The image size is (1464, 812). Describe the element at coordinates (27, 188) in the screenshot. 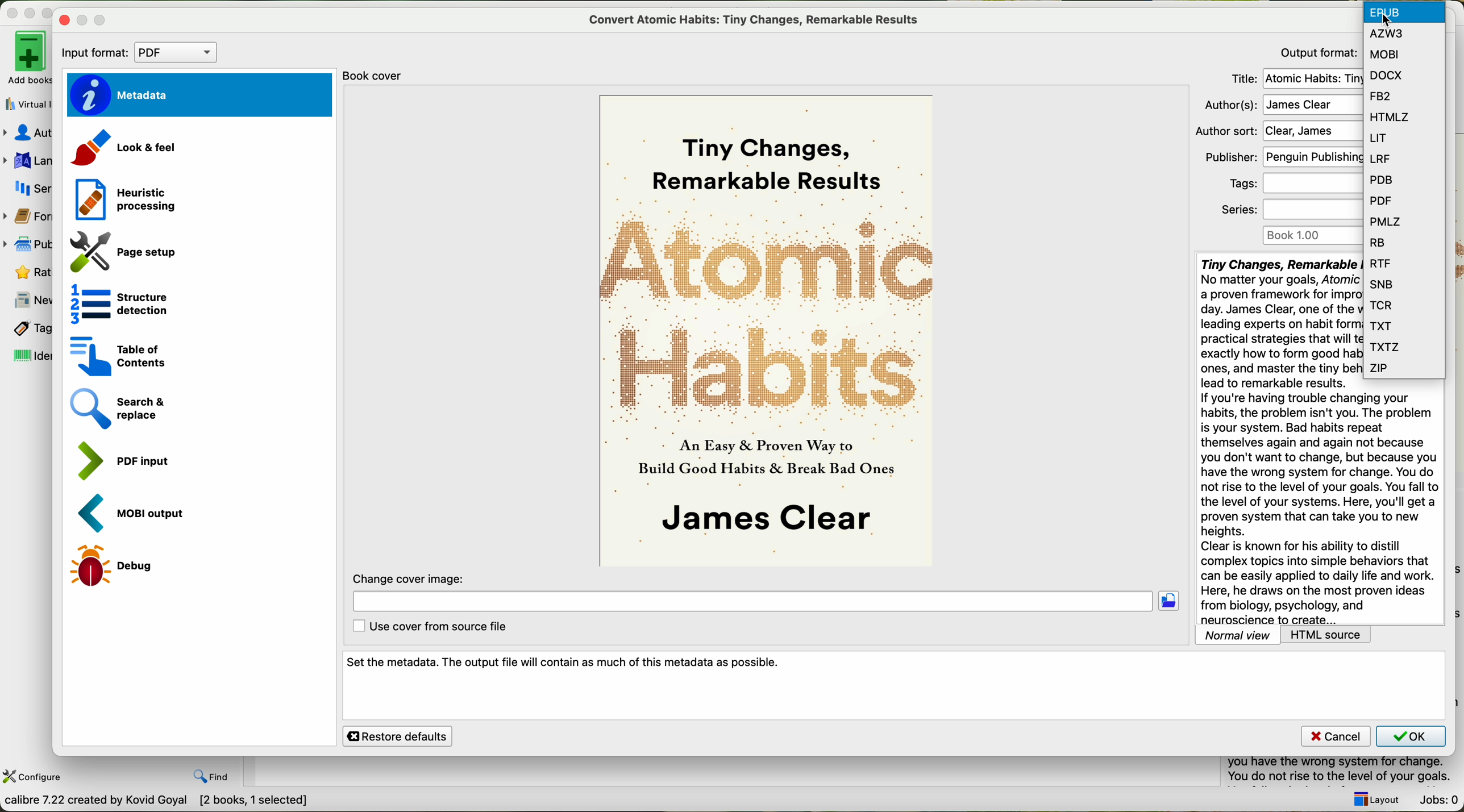

I see `series` at that location.